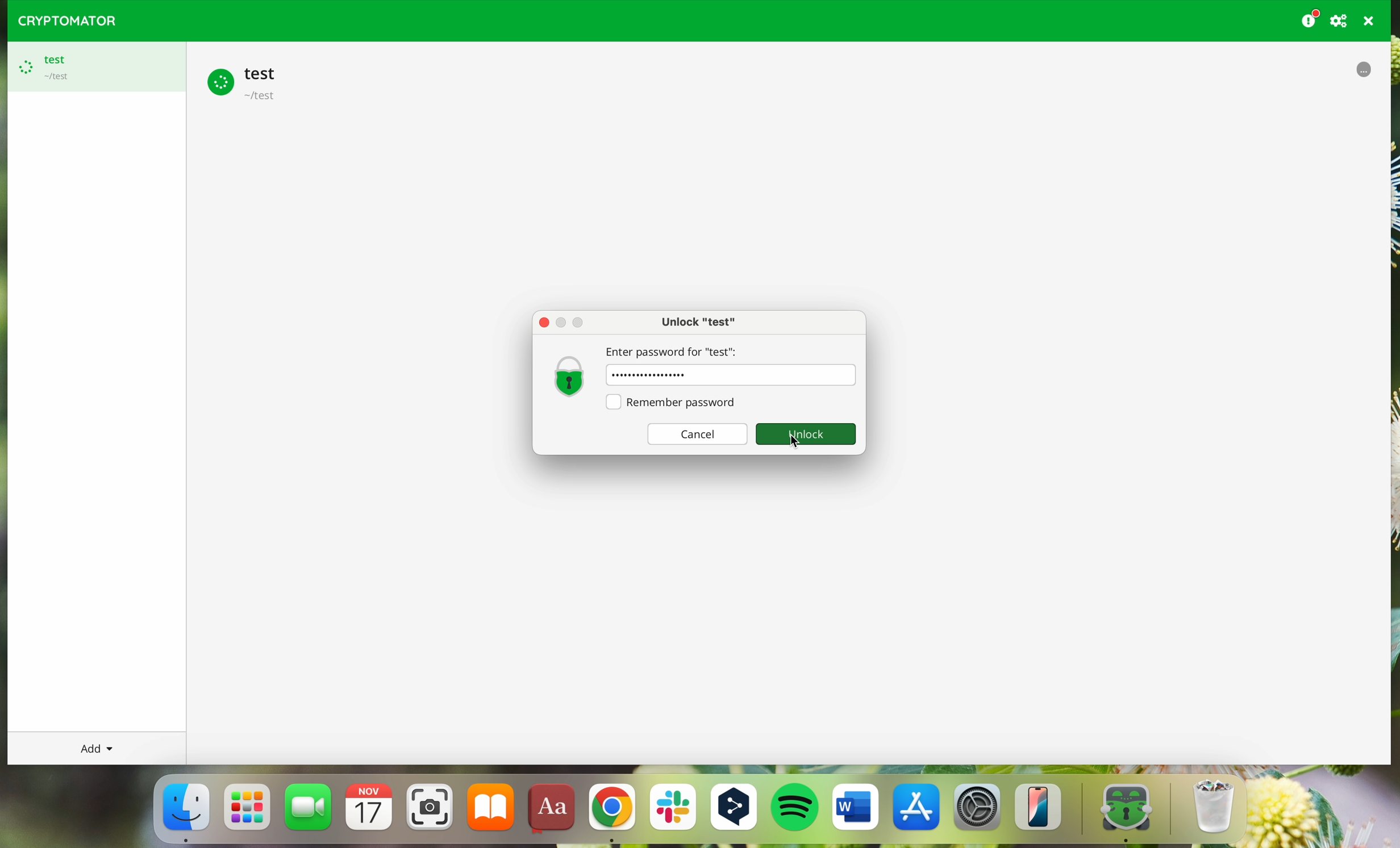  I want to click on Spotify, so click(797, 809).